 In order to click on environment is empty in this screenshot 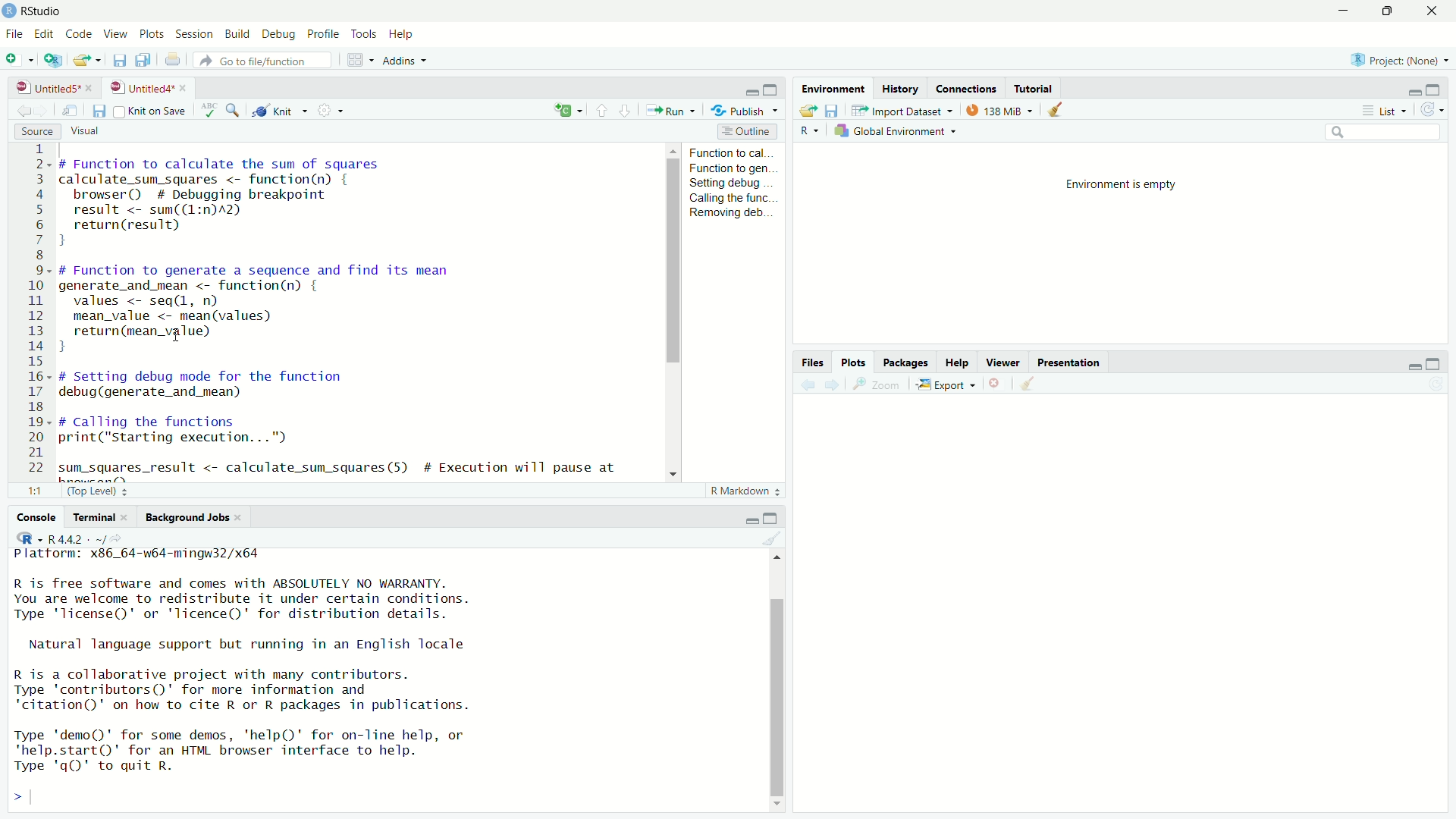, I will do `click(1135, 187)`.